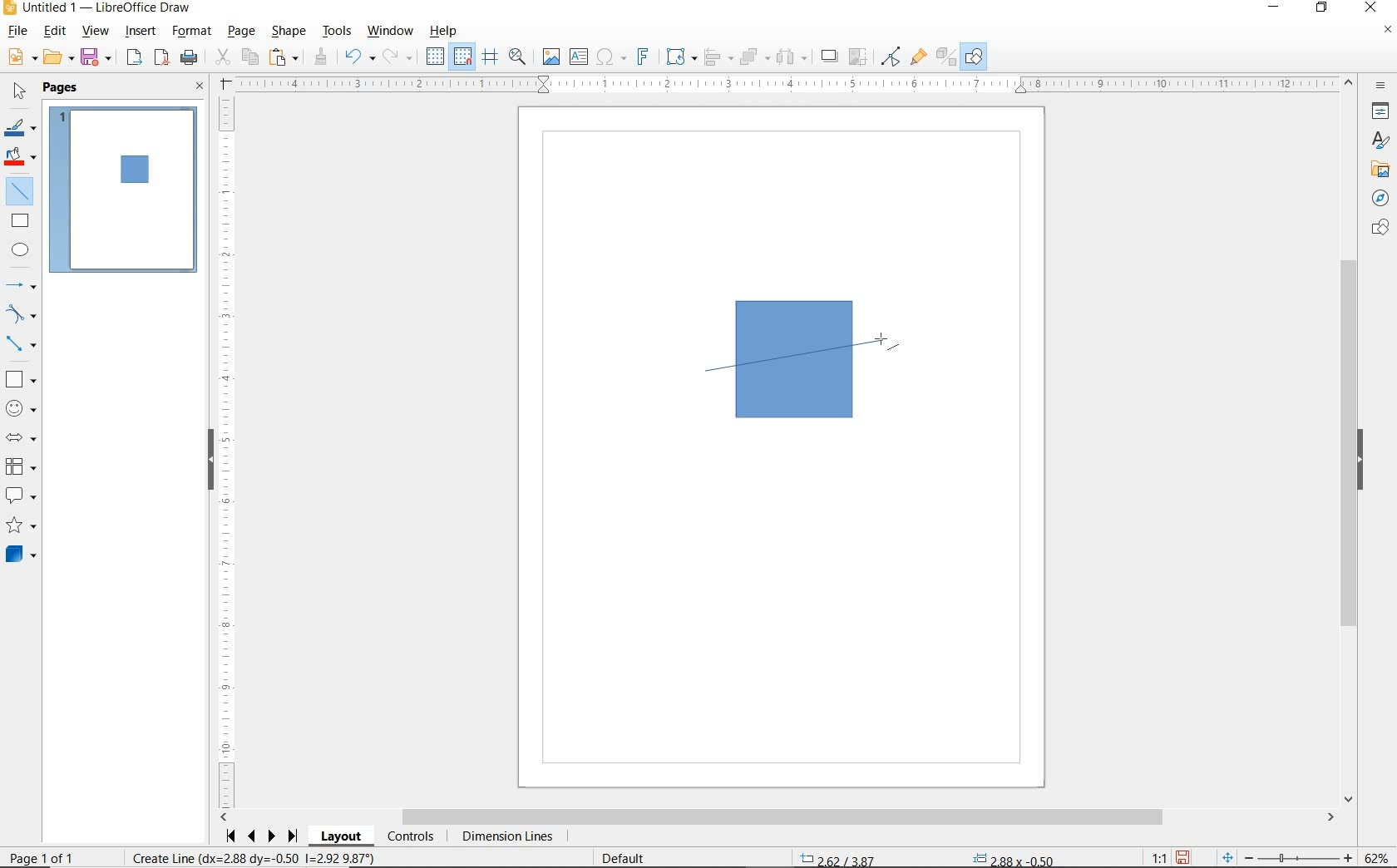  I want to click on SHAPE, so click(289, 32).